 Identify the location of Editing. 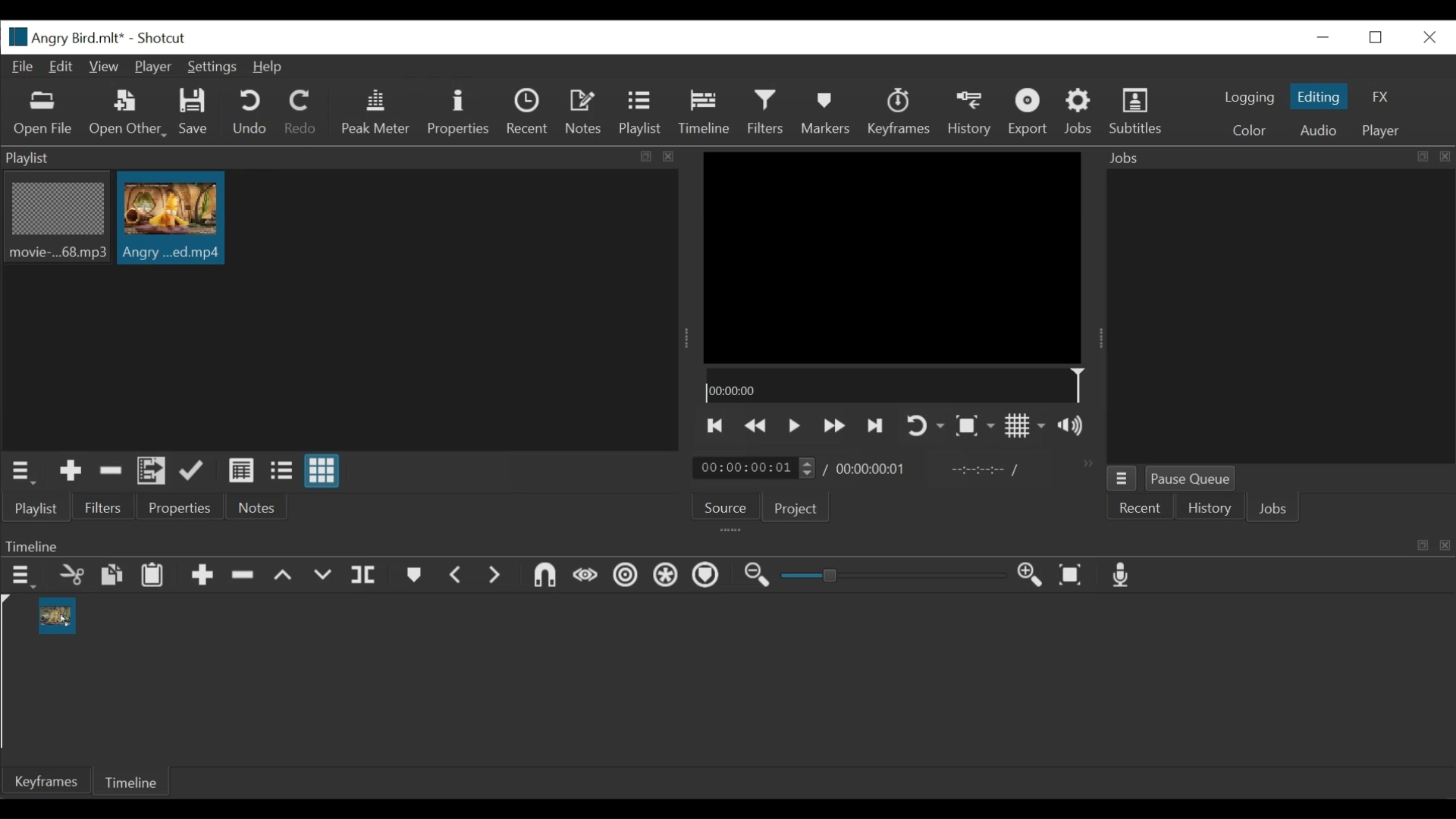
(1319, 96).